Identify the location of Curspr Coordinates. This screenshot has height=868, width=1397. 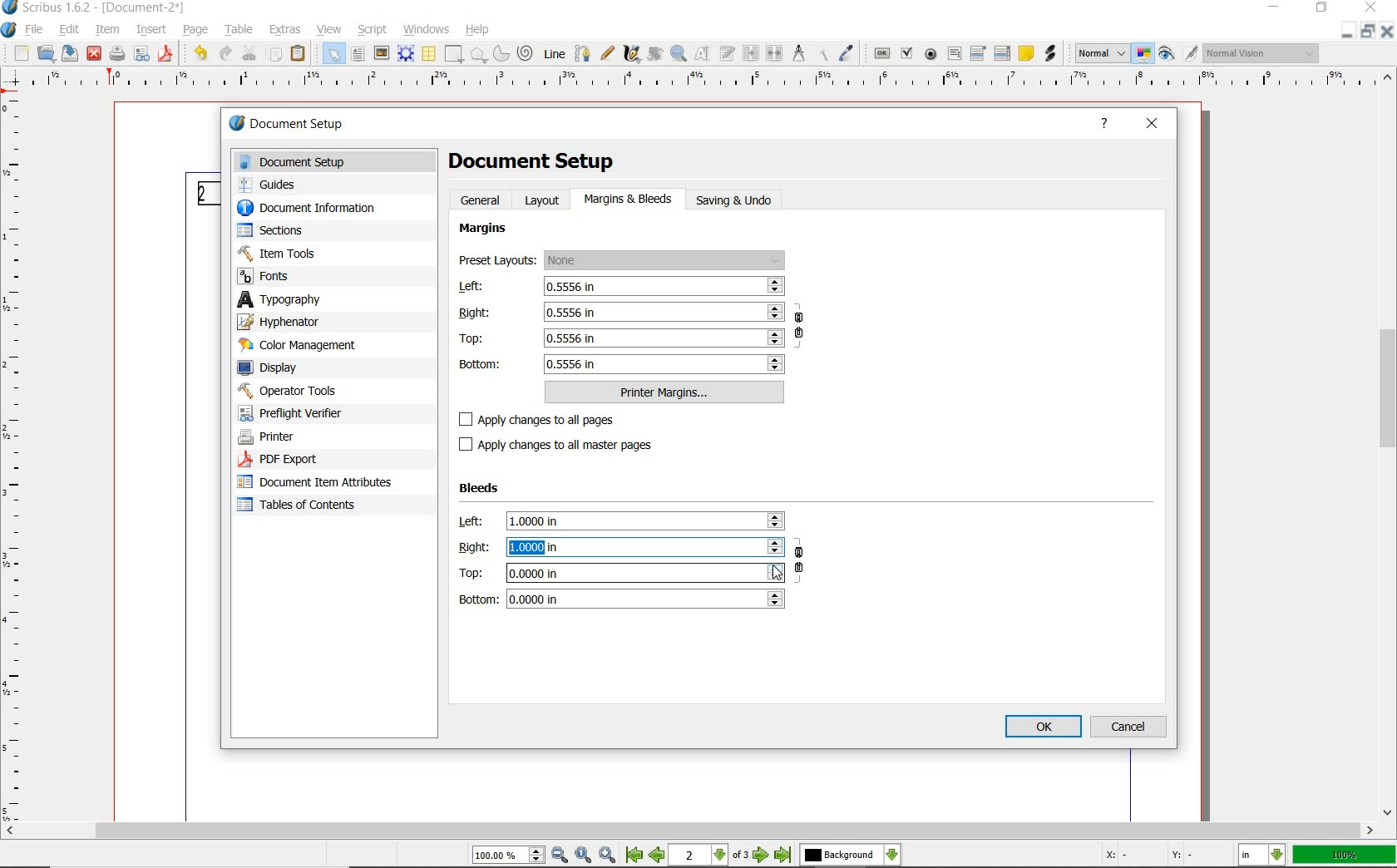
(1150, 856).